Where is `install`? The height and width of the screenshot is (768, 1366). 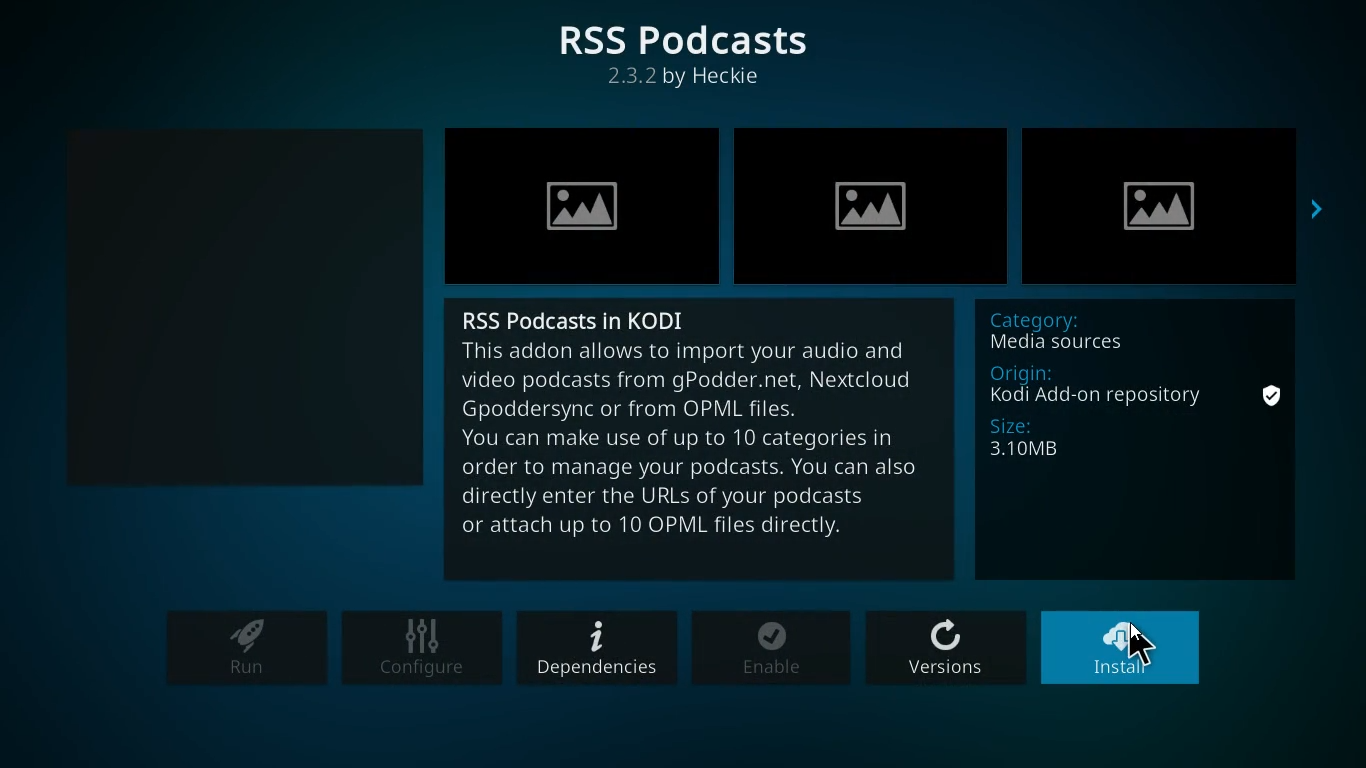 install is located at coordinates (1127, 647).